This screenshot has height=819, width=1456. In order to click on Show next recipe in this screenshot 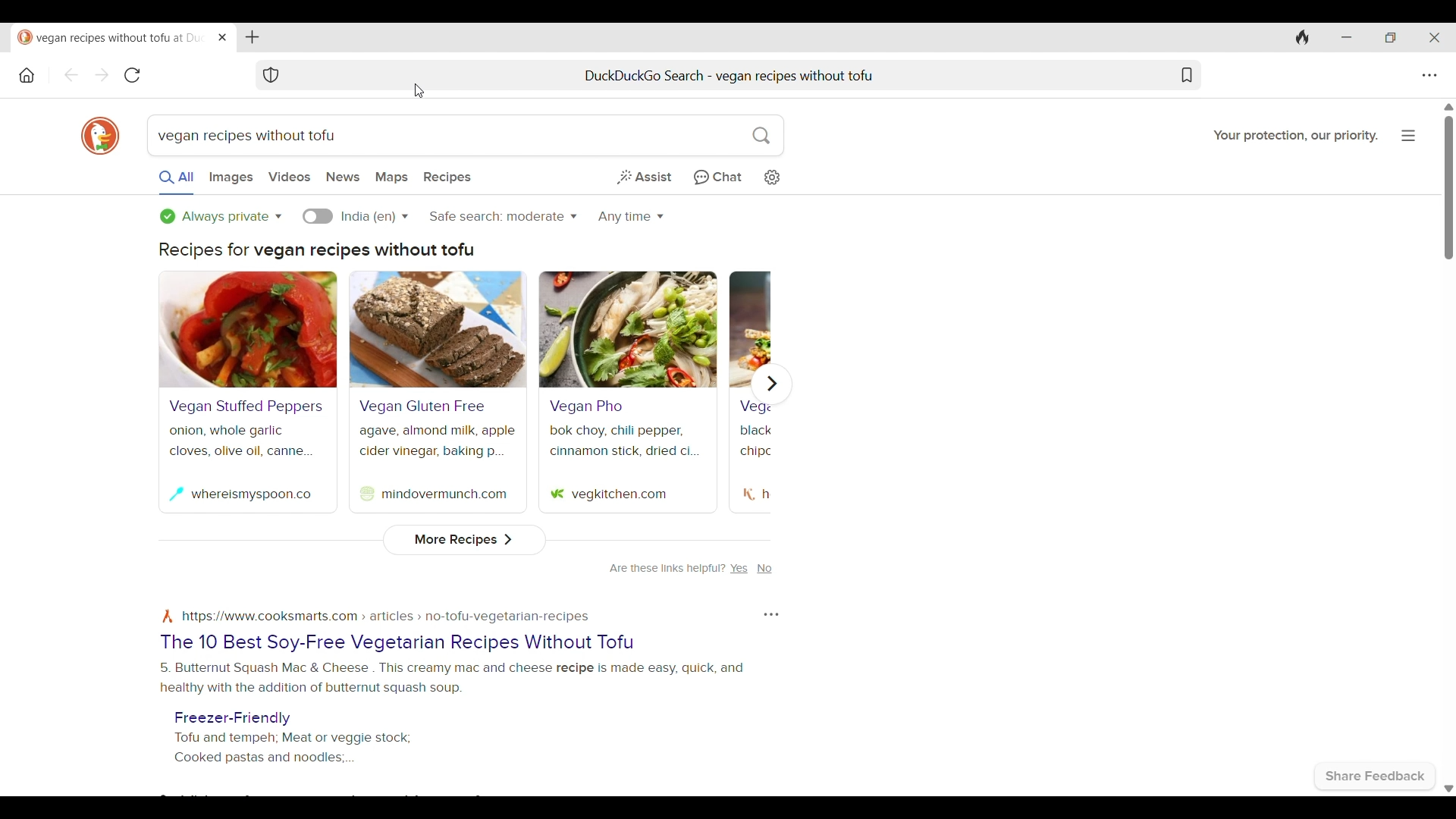, I will do `click(771, 384)`.